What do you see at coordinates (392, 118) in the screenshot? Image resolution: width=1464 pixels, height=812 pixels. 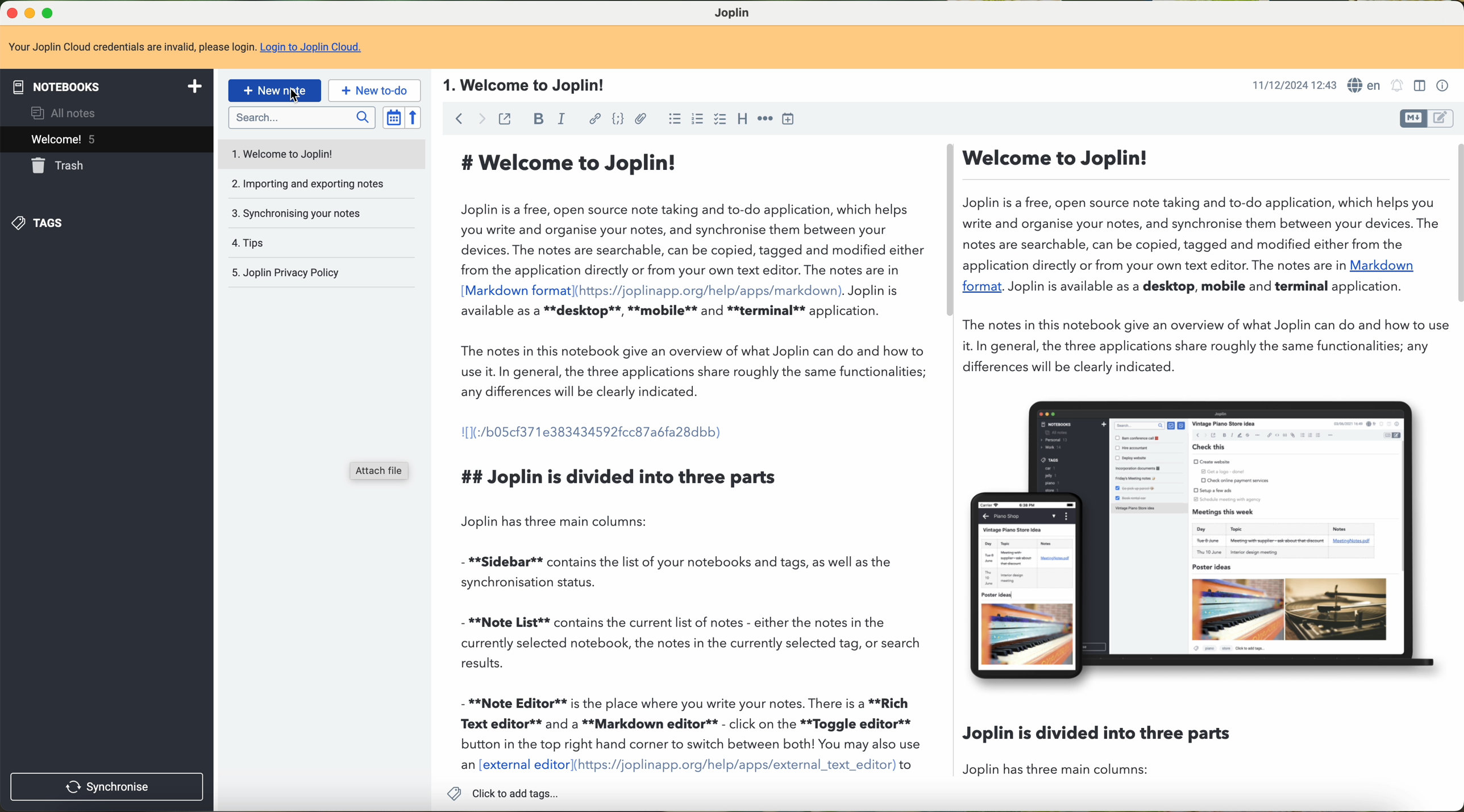 I see `toggle sort order field` at bounding box center [392, 118].